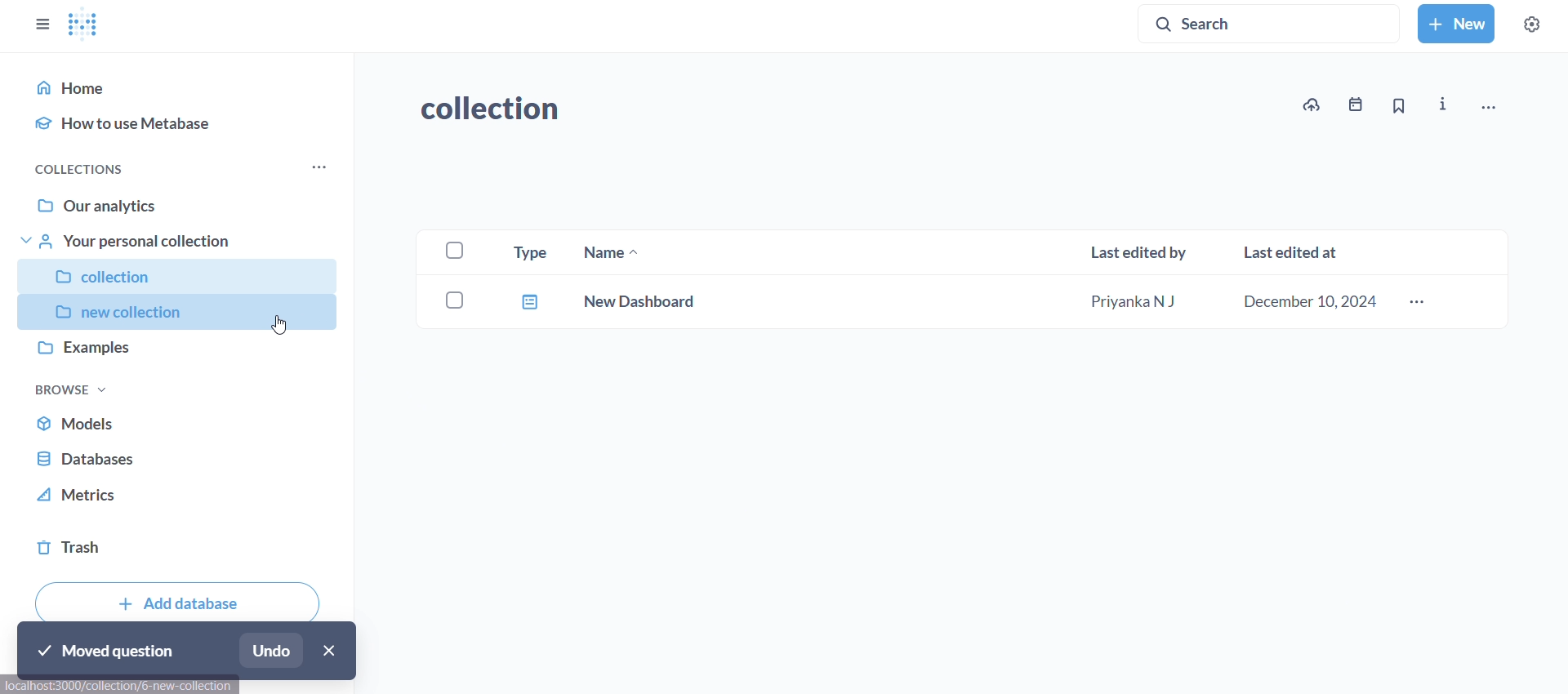 Image resolution: width=1568 pixels, height=694 pixels. I want to click on home, so click(183, 87).